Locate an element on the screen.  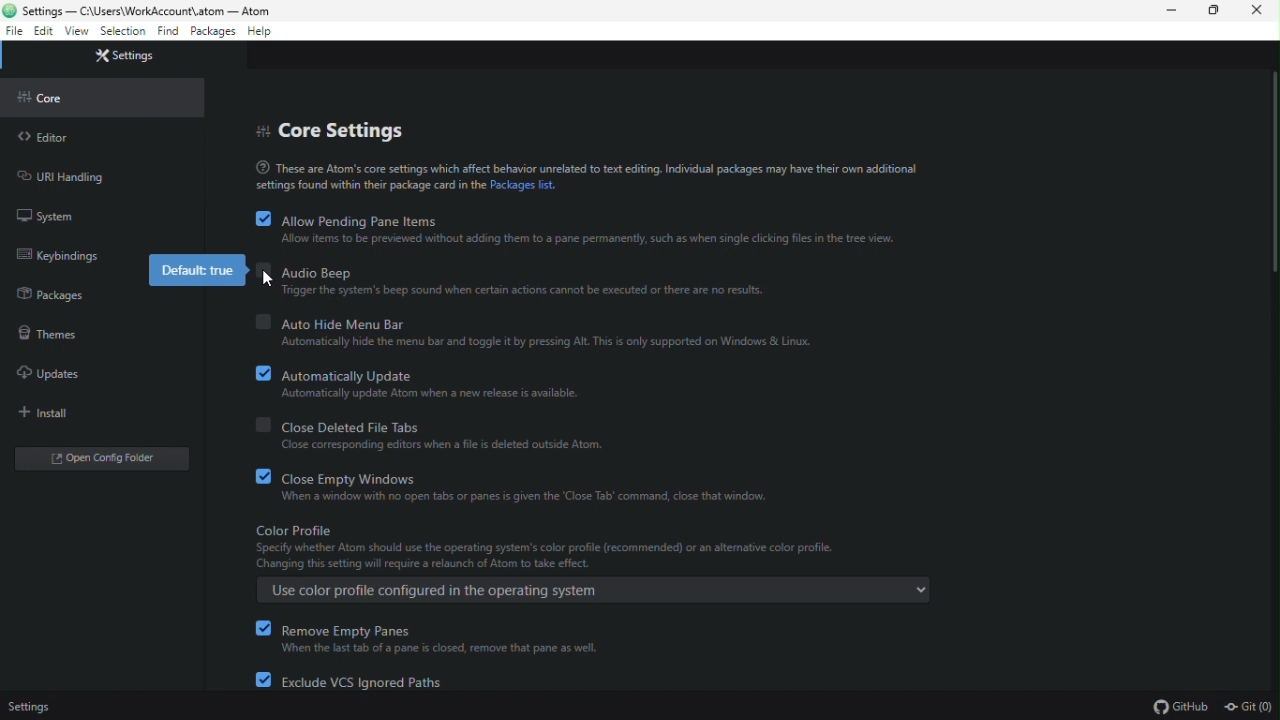
packages is located at coordinates (51, 295).